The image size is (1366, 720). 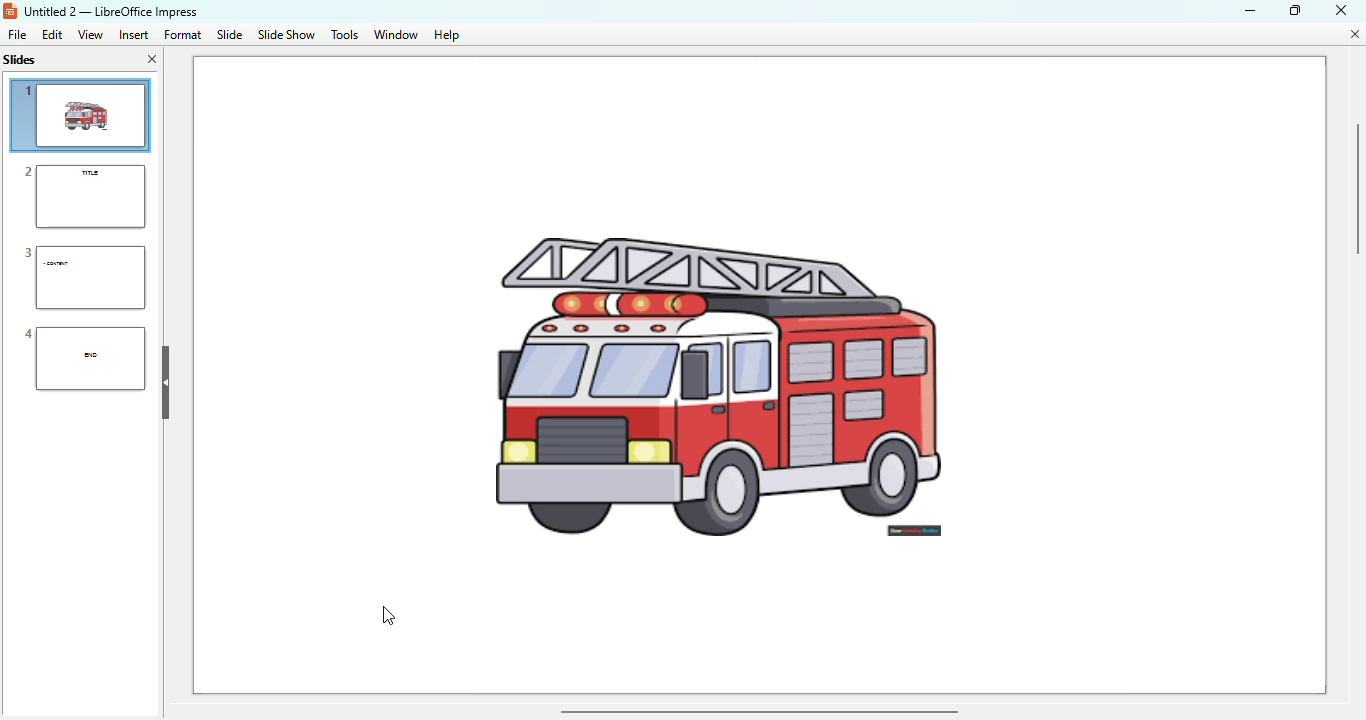 What do you see at coordinates (231, 34) in the screenshot?
I see `slide` at bounding box center [231, 34].